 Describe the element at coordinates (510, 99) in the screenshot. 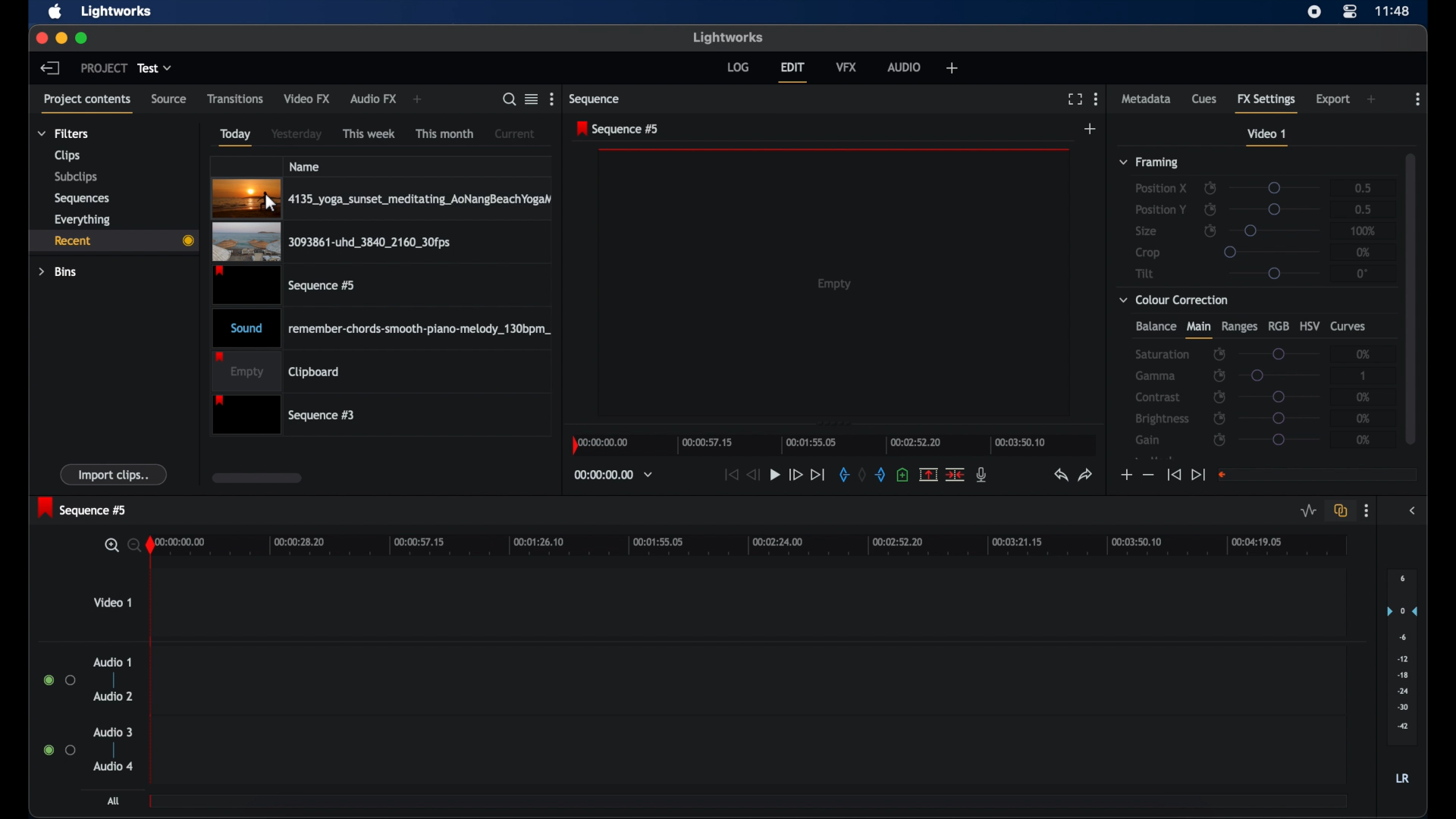

I see `search` at that location.